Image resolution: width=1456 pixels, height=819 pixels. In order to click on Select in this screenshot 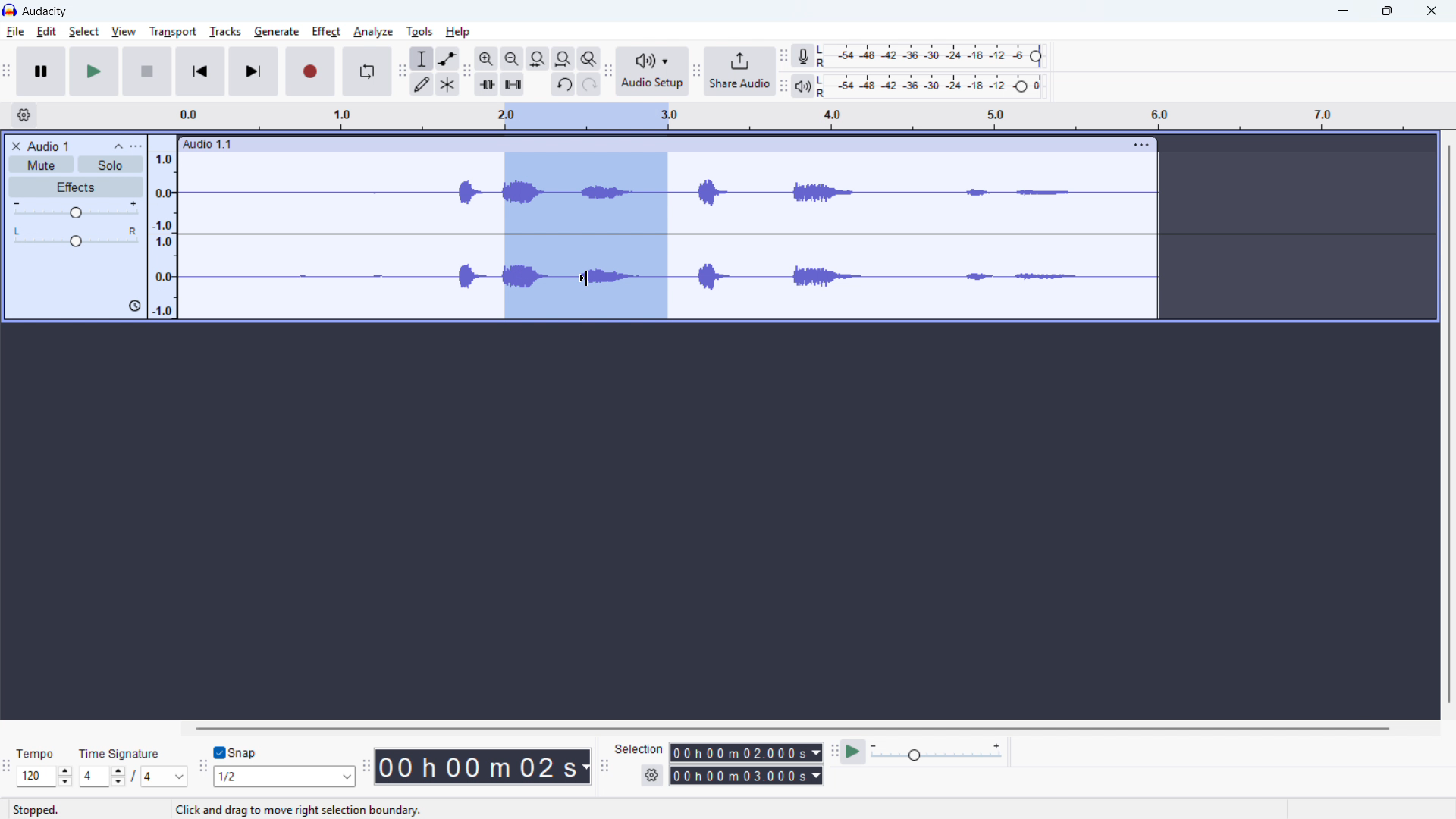, I will do `click(83, 32)`.